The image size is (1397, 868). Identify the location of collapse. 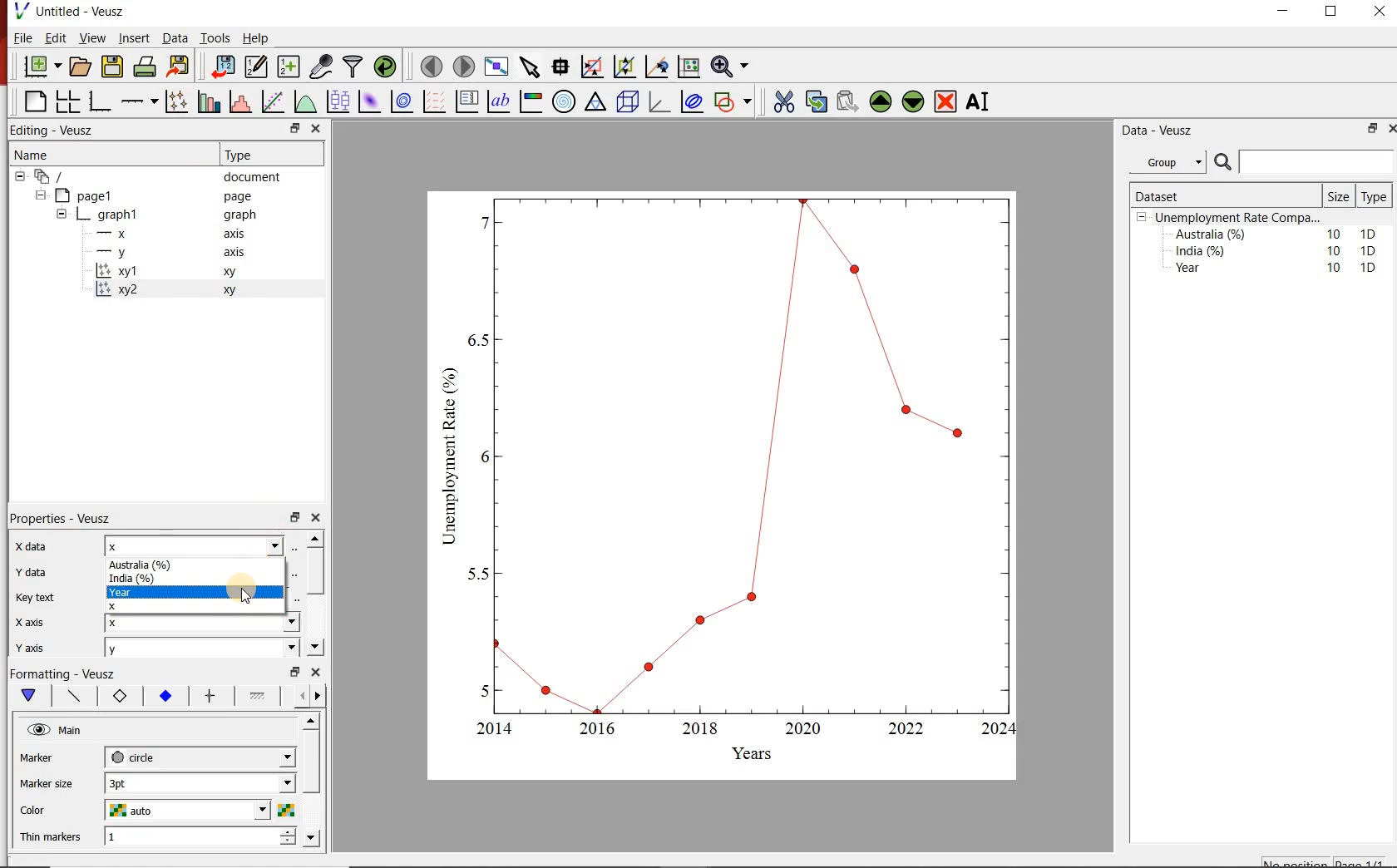
(40, 195).